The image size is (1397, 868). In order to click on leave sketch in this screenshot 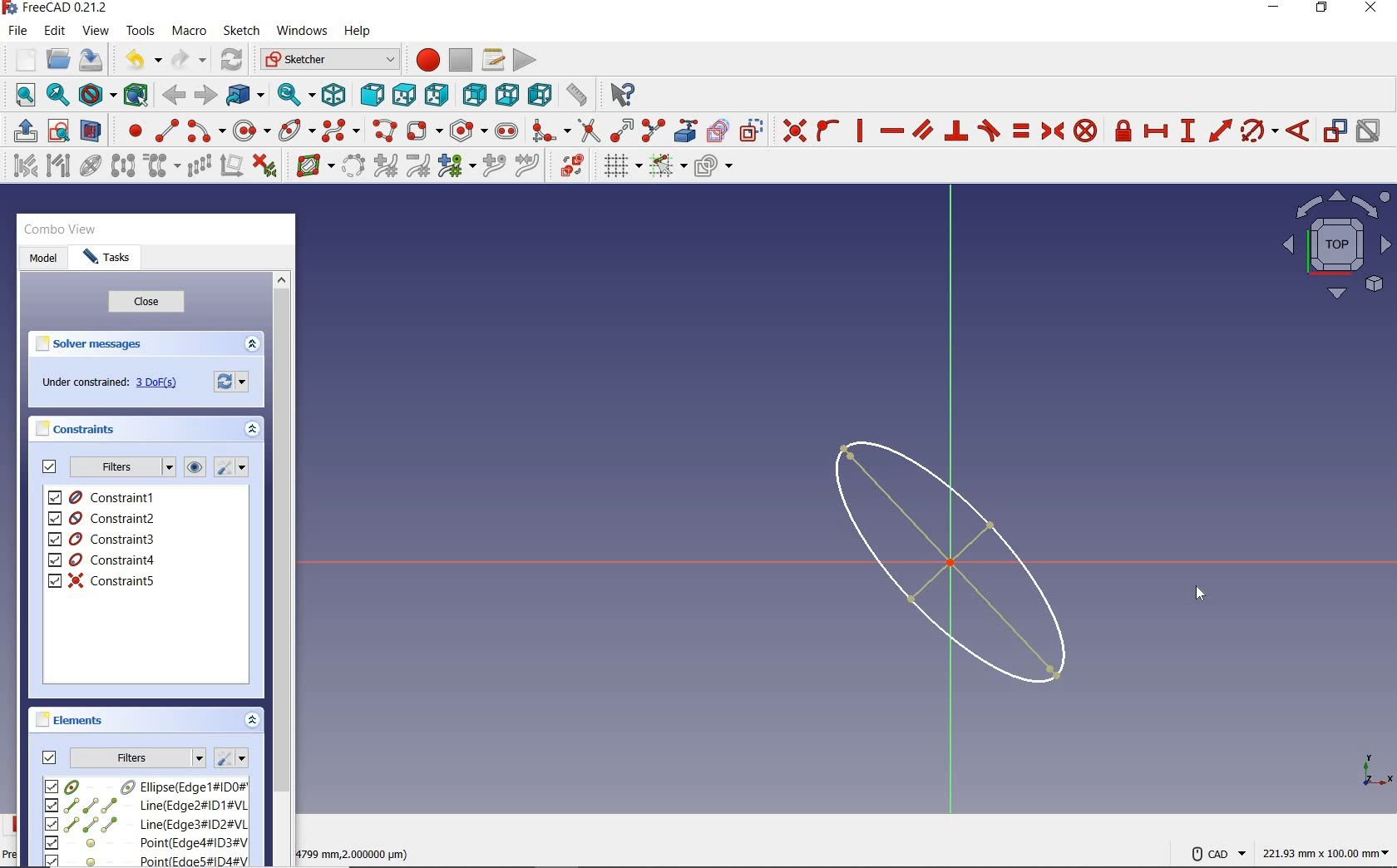, I will do `click(22, 131)`.